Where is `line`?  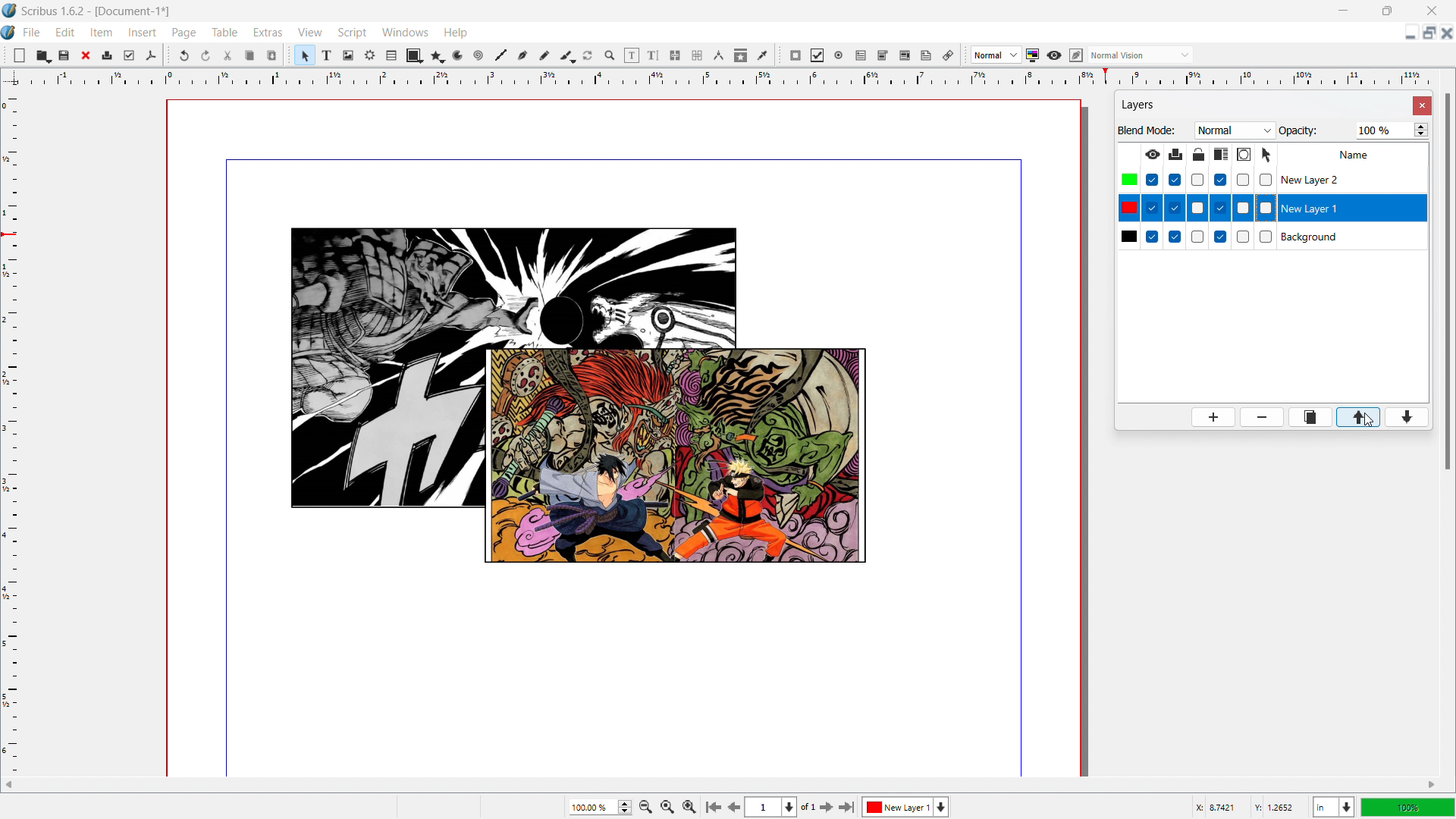
line is located at coordinates (501, 55).